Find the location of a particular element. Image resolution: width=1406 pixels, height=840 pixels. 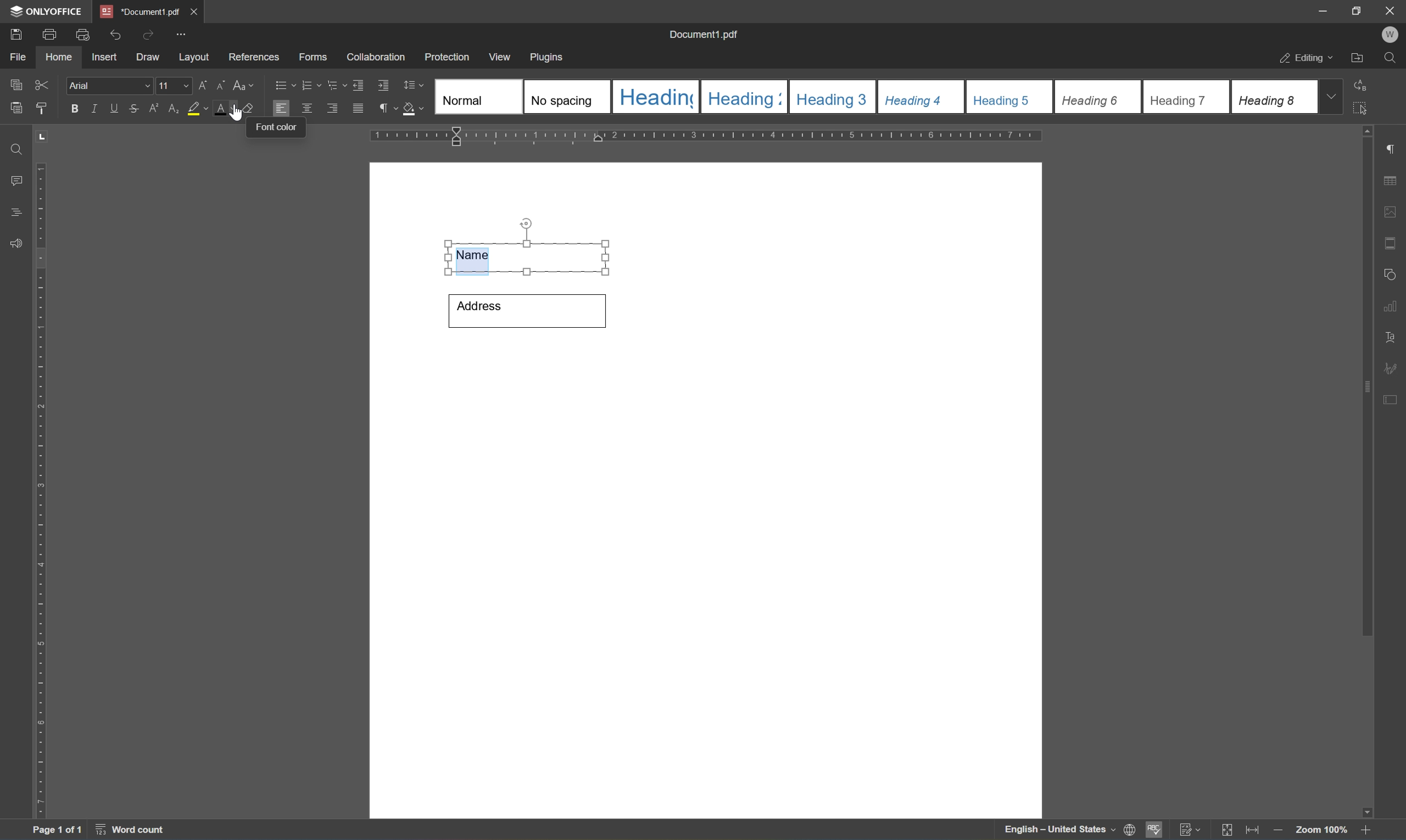

italic is located at coordinates (93, 108).